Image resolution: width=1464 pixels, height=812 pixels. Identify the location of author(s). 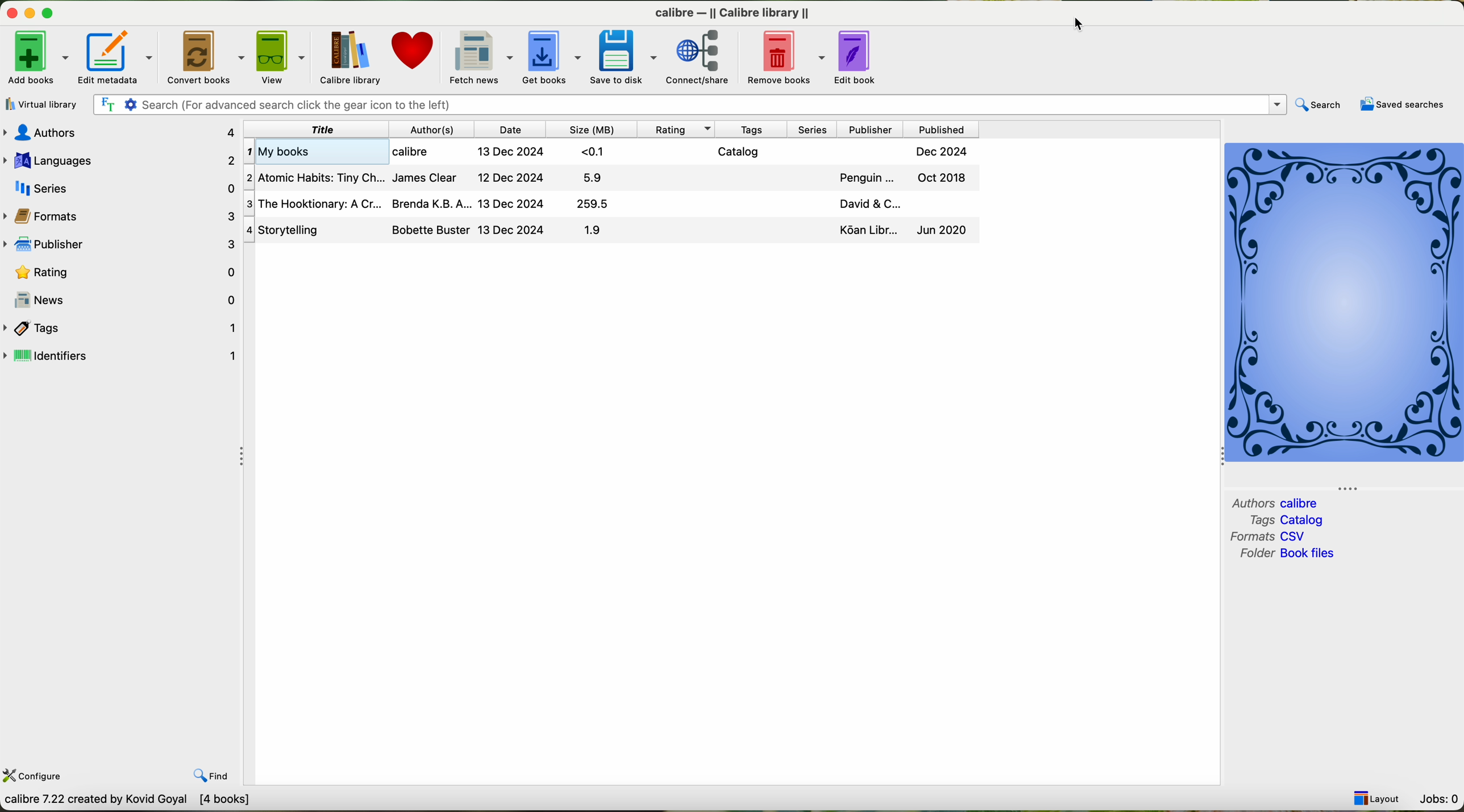
(430, 131).